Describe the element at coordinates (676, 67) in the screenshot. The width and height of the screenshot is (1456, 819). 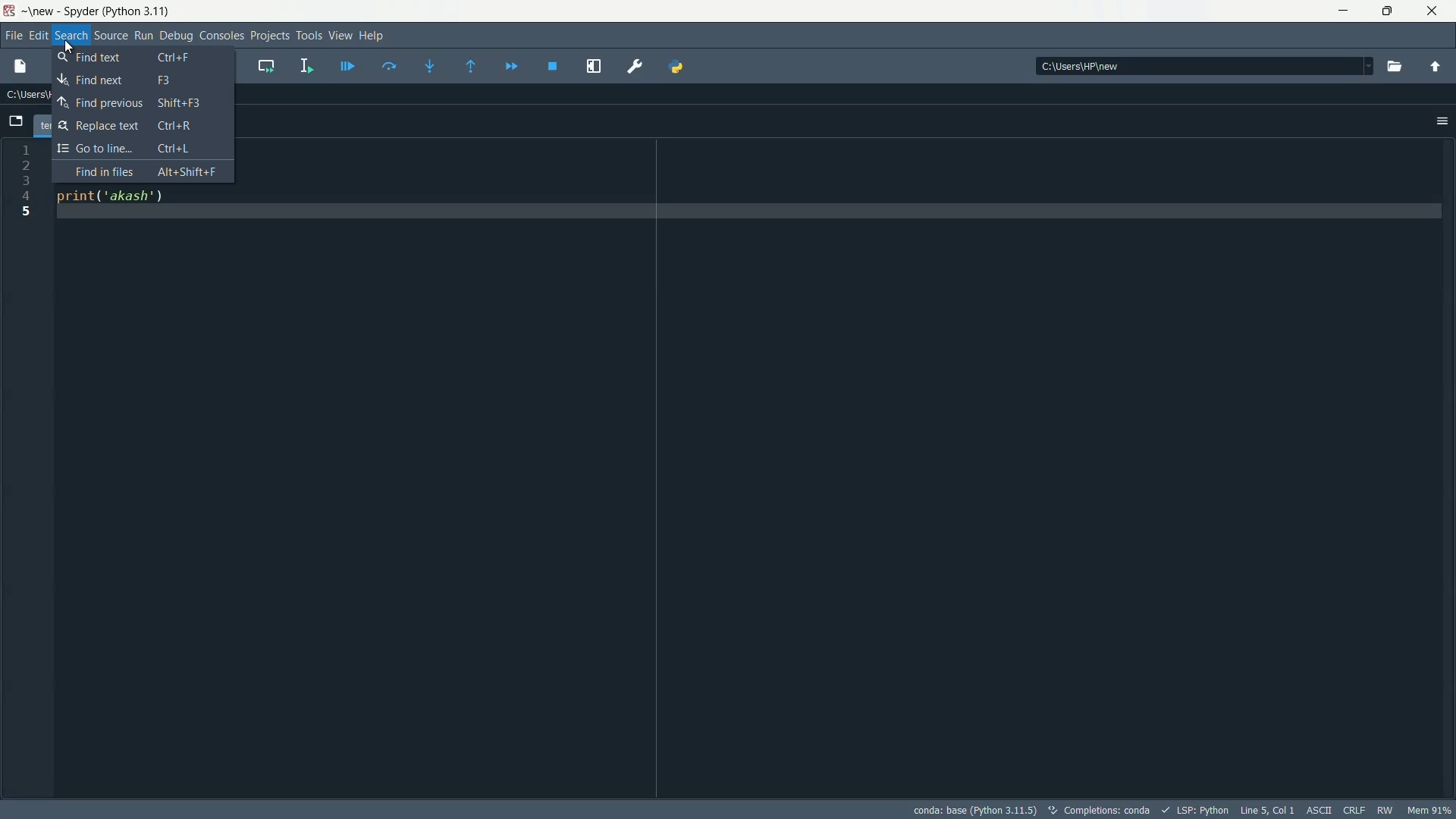
I see `python path manager` at that location.